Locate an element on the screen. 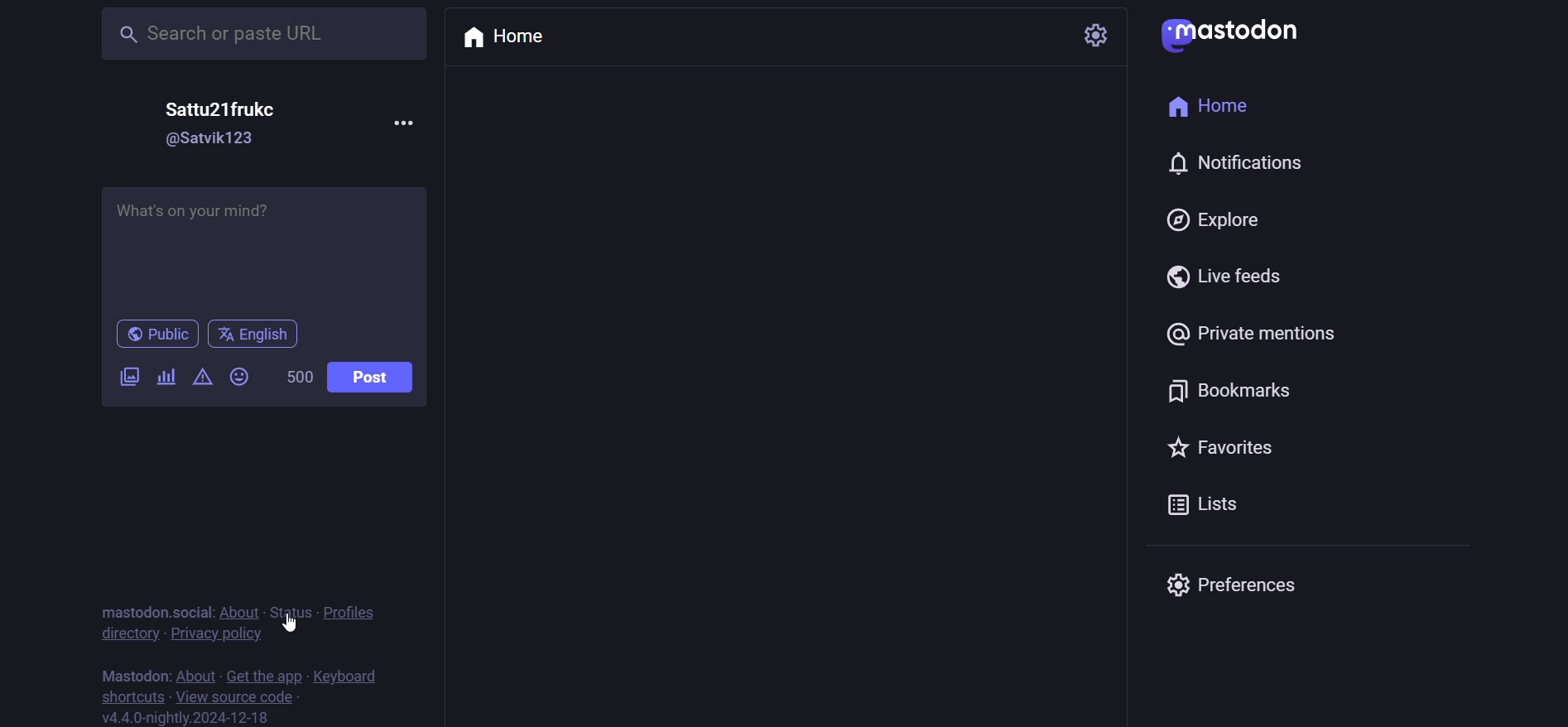 The height and width of the screenshot is (727, 1568). mastodon social is located at coordinates (159, 611).